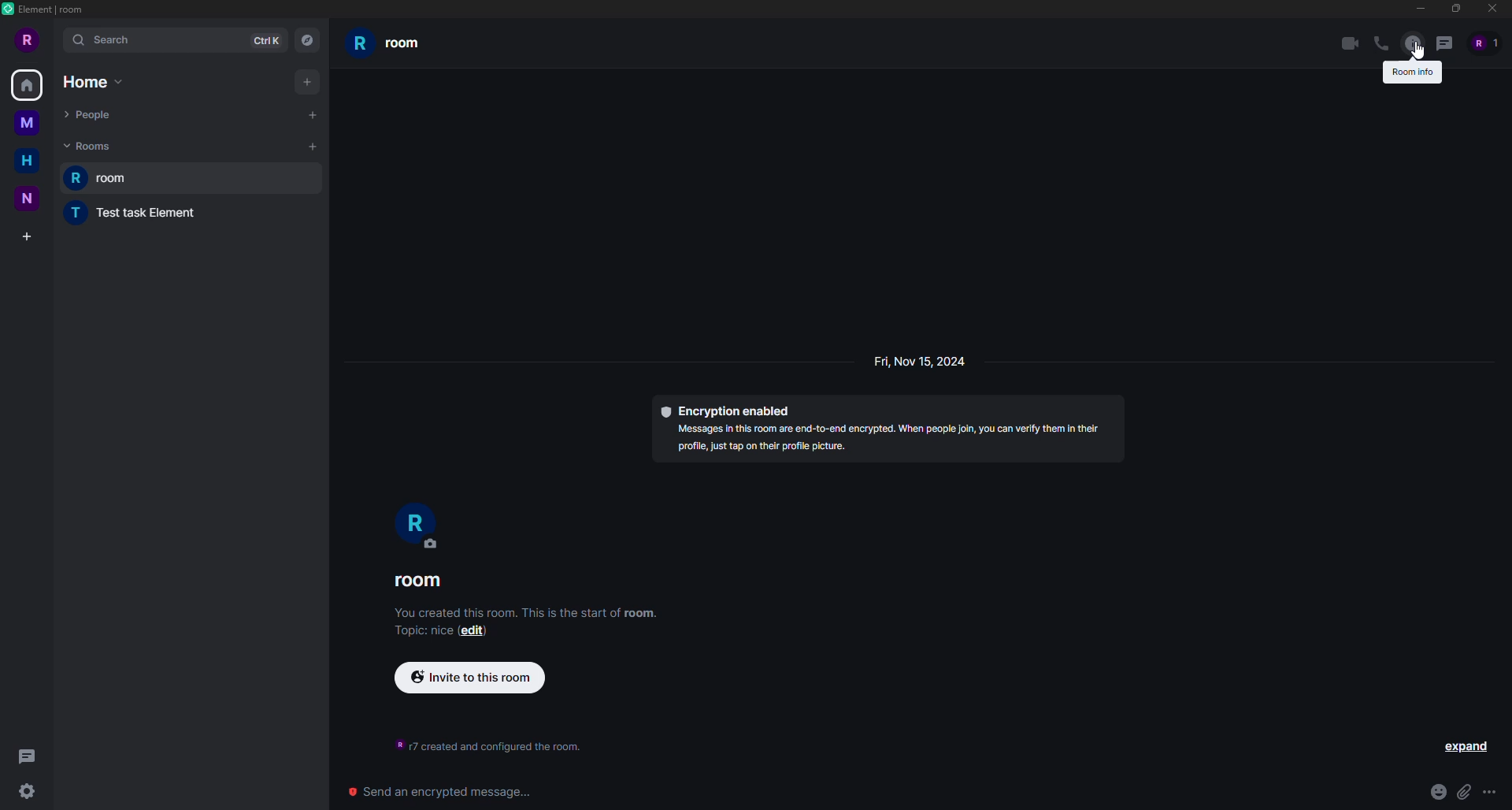 The height and width of the screenshot is (810, 1512). What do you see at coordinates (54, 9) in the screenshot?
I see `element|room` at bounding box center [54, 9].